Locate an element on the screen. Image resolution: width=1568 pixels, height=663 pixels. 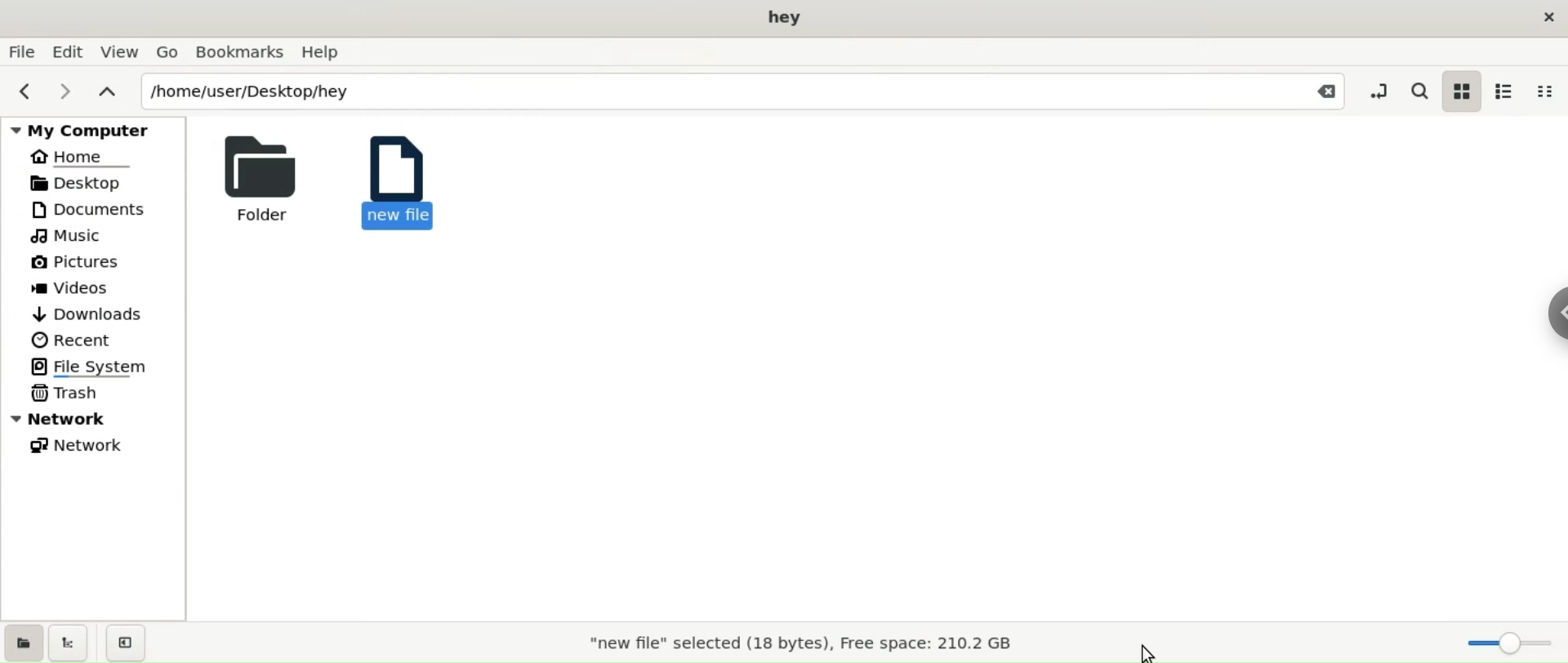
close is located at coordinates (1550, 22).